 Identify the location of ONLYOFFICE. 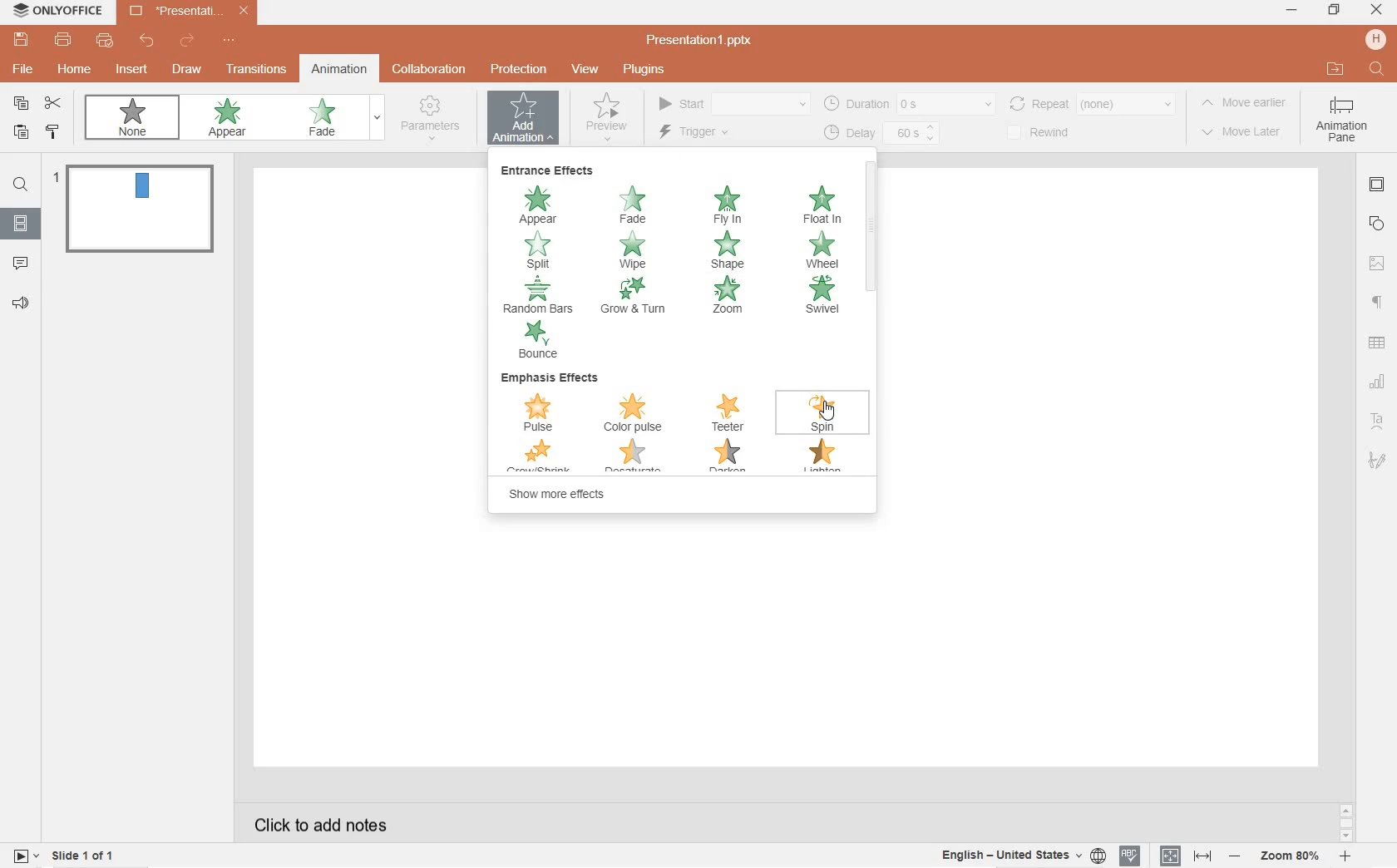
(59, 13).